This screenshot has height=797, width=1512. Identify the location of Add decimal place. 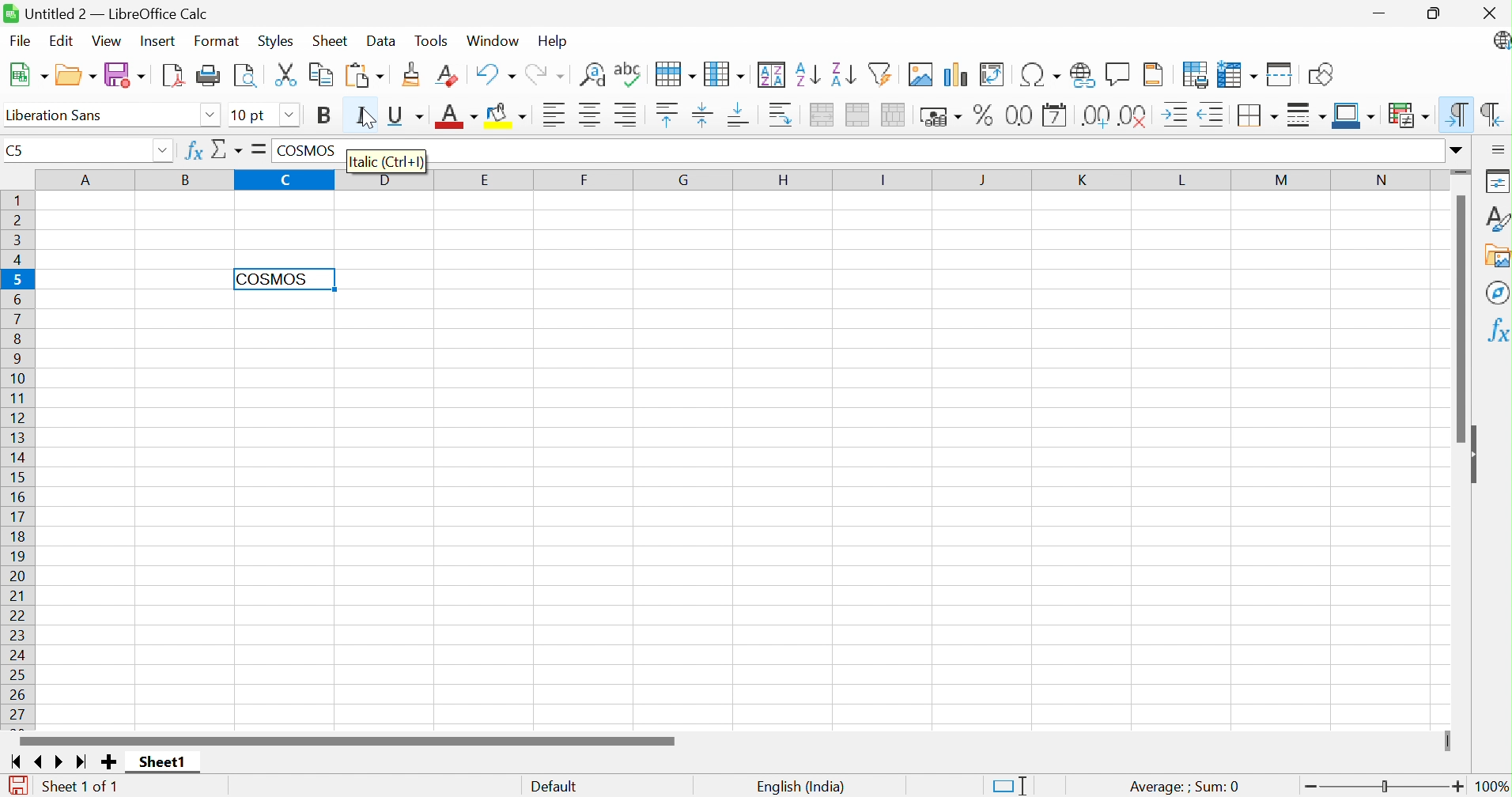
(1095, 115).